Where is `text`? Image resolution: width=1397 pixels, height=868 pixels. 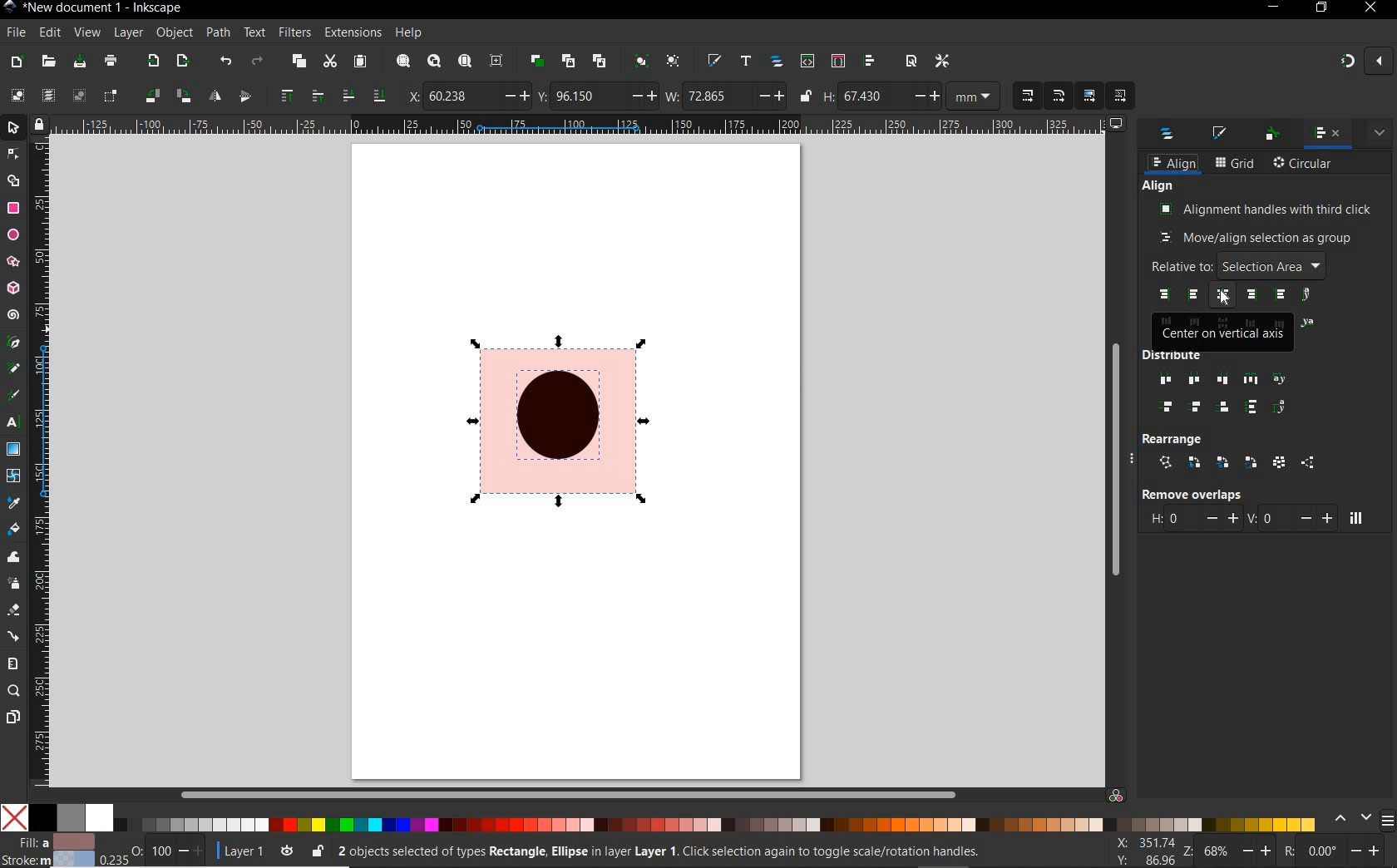
text is located at coordinates (255, 32).